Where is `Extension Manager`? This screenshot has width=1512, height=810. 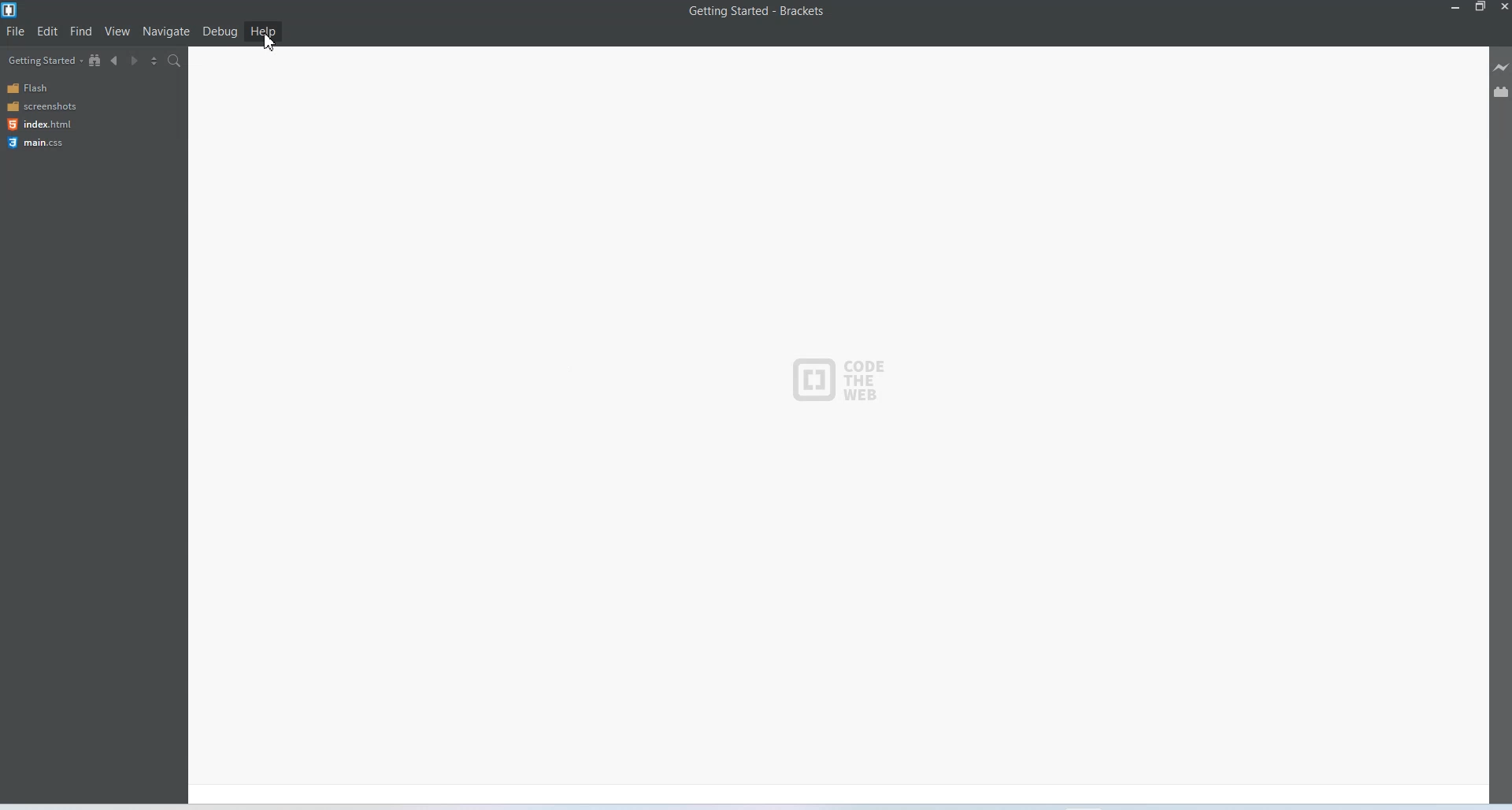 Extension Manager is located at coordinates (1502, 91).